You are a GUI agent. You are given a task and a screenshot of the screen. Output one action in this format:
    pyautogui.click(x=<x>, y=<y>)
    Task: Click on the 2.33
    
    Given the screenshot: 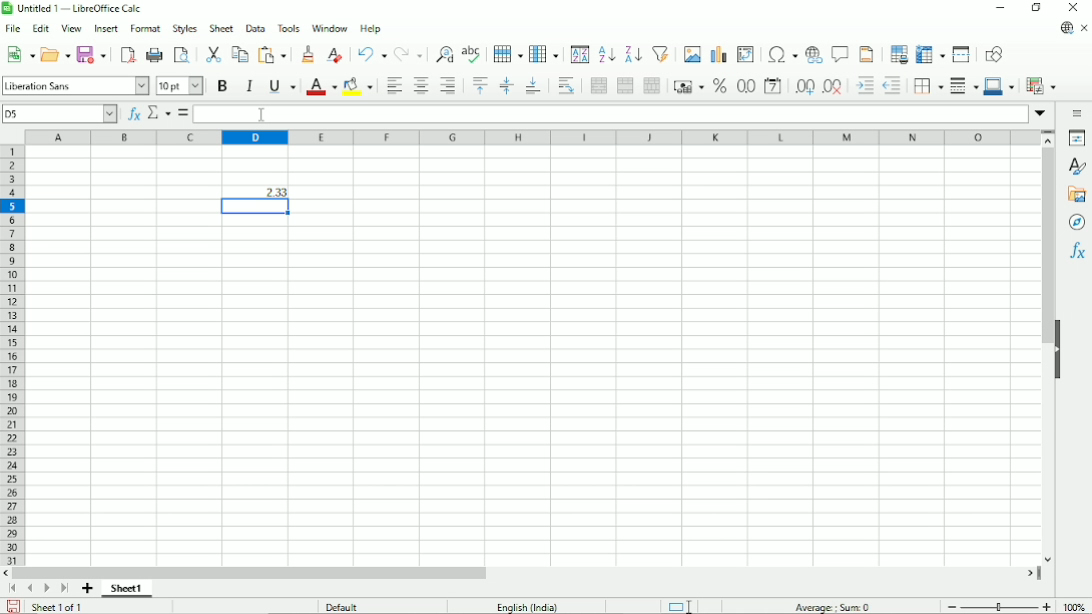 What is the action you would take?
    pyautogui.click(x=277, y=191)
    